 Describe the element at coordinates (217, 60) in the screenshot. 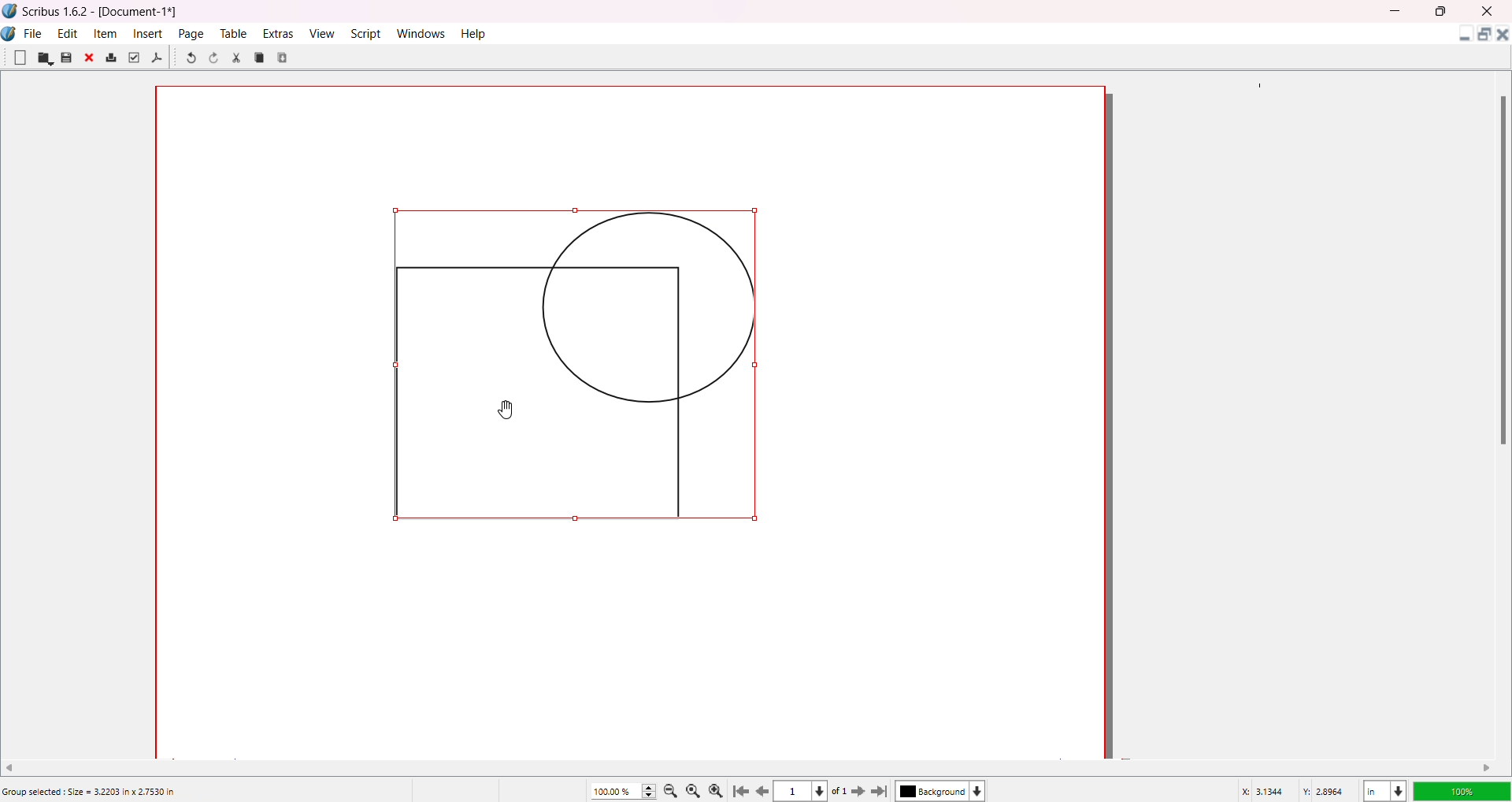

I see `Redo` at that location.